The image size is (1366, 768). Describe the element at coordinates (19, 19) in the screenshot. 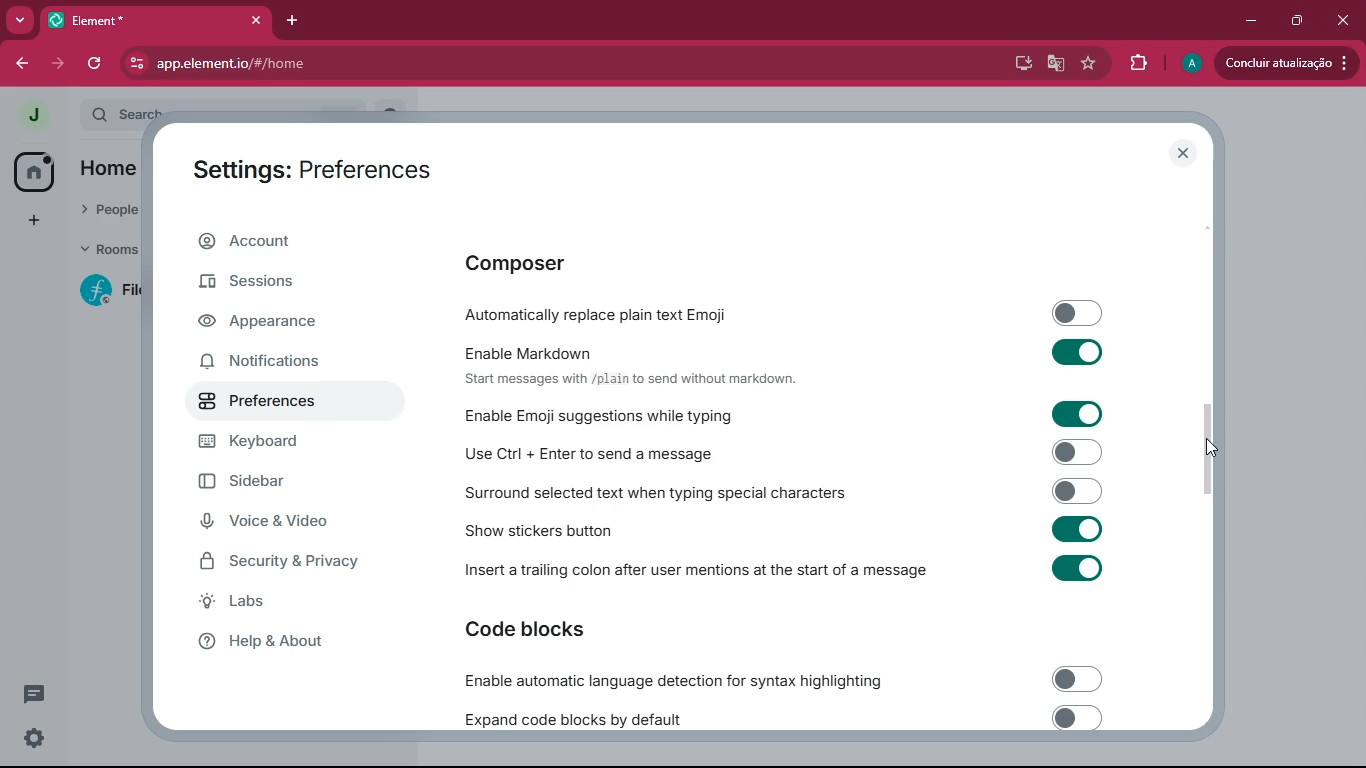

I see `more` at that location.